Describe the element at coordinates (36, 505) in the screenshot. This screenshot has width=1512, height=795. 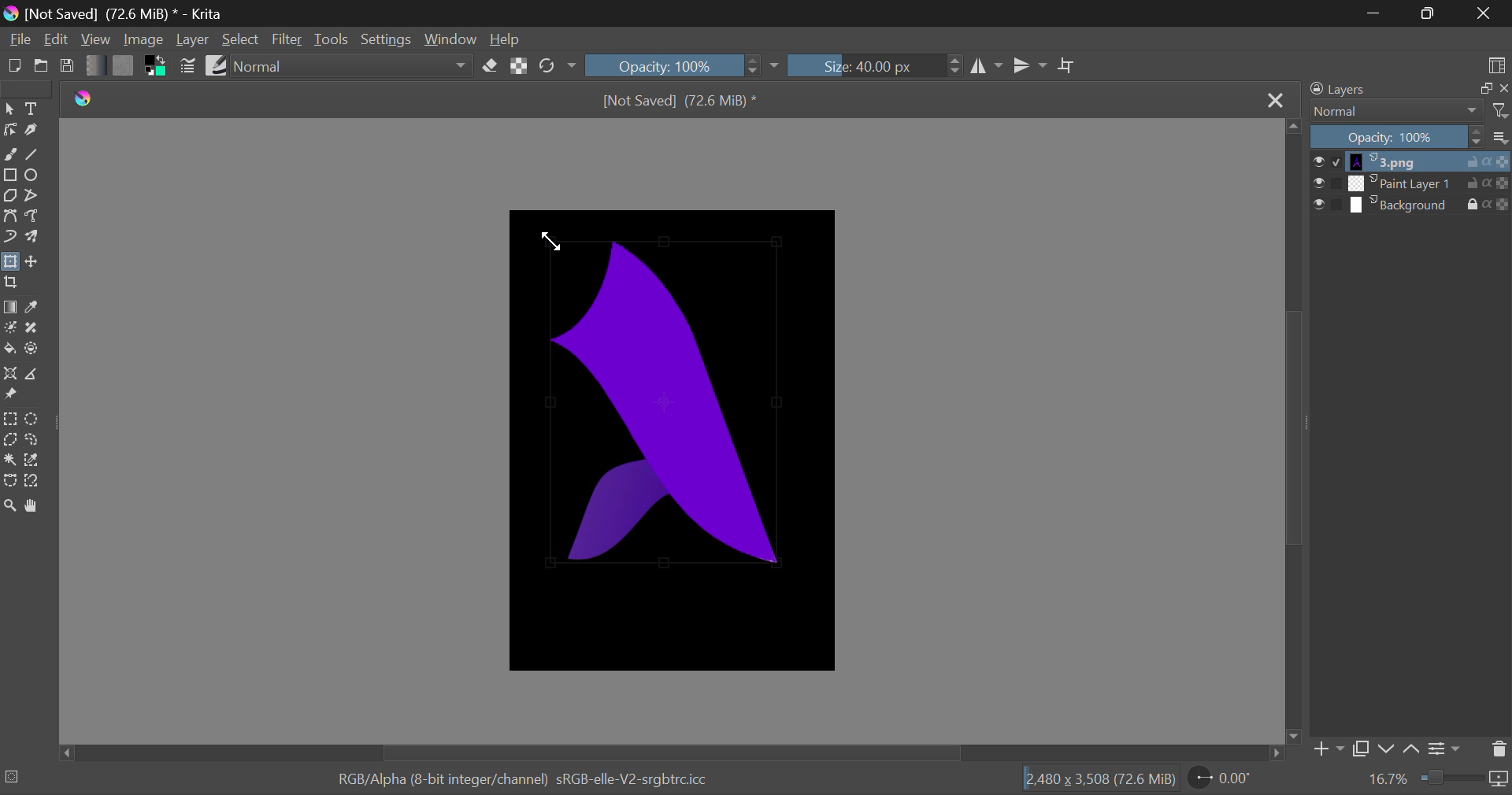
I see `Pan` at that location.